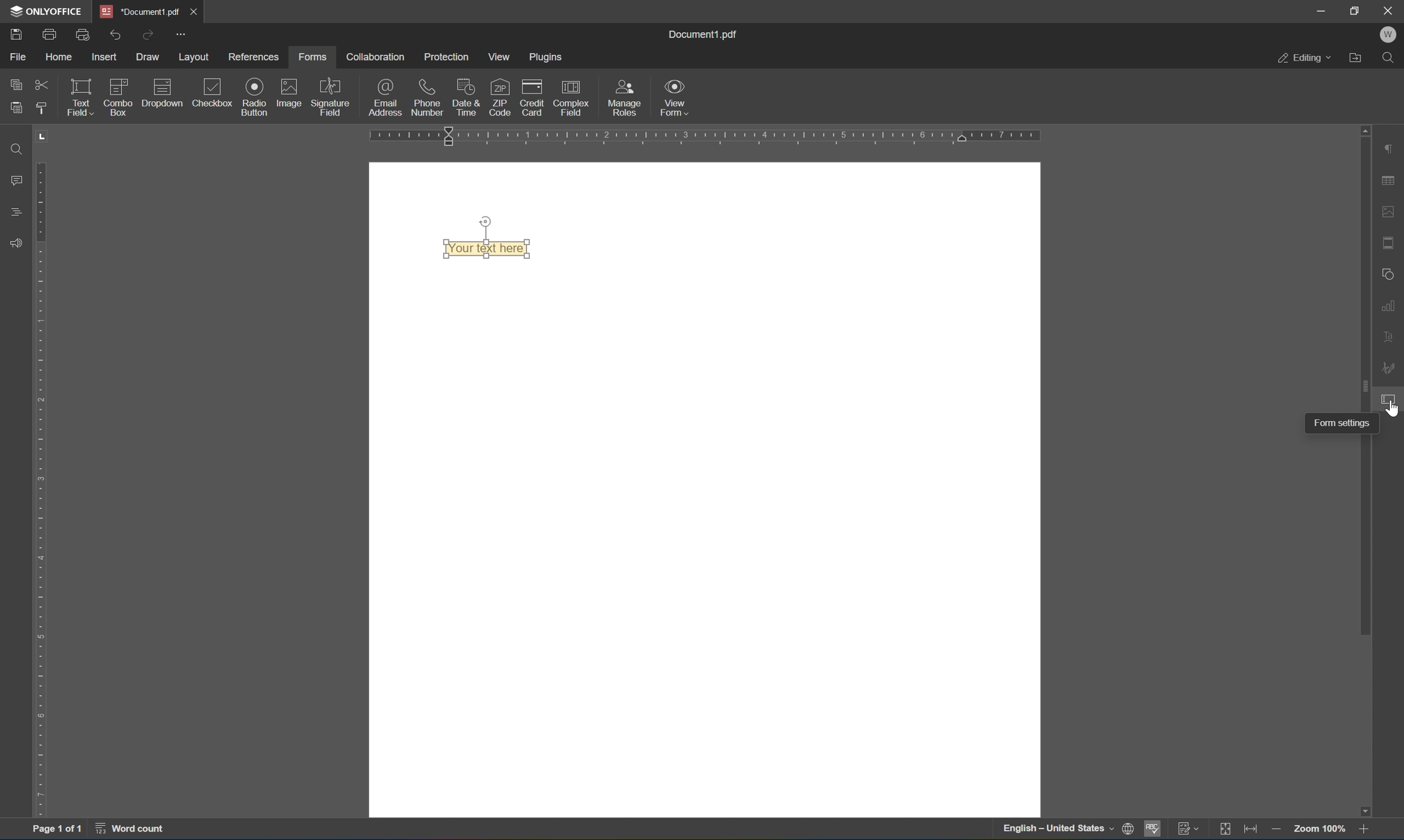 This screenshot has height=840, width=1404. I want to click on table settings, so click(1388, 182).